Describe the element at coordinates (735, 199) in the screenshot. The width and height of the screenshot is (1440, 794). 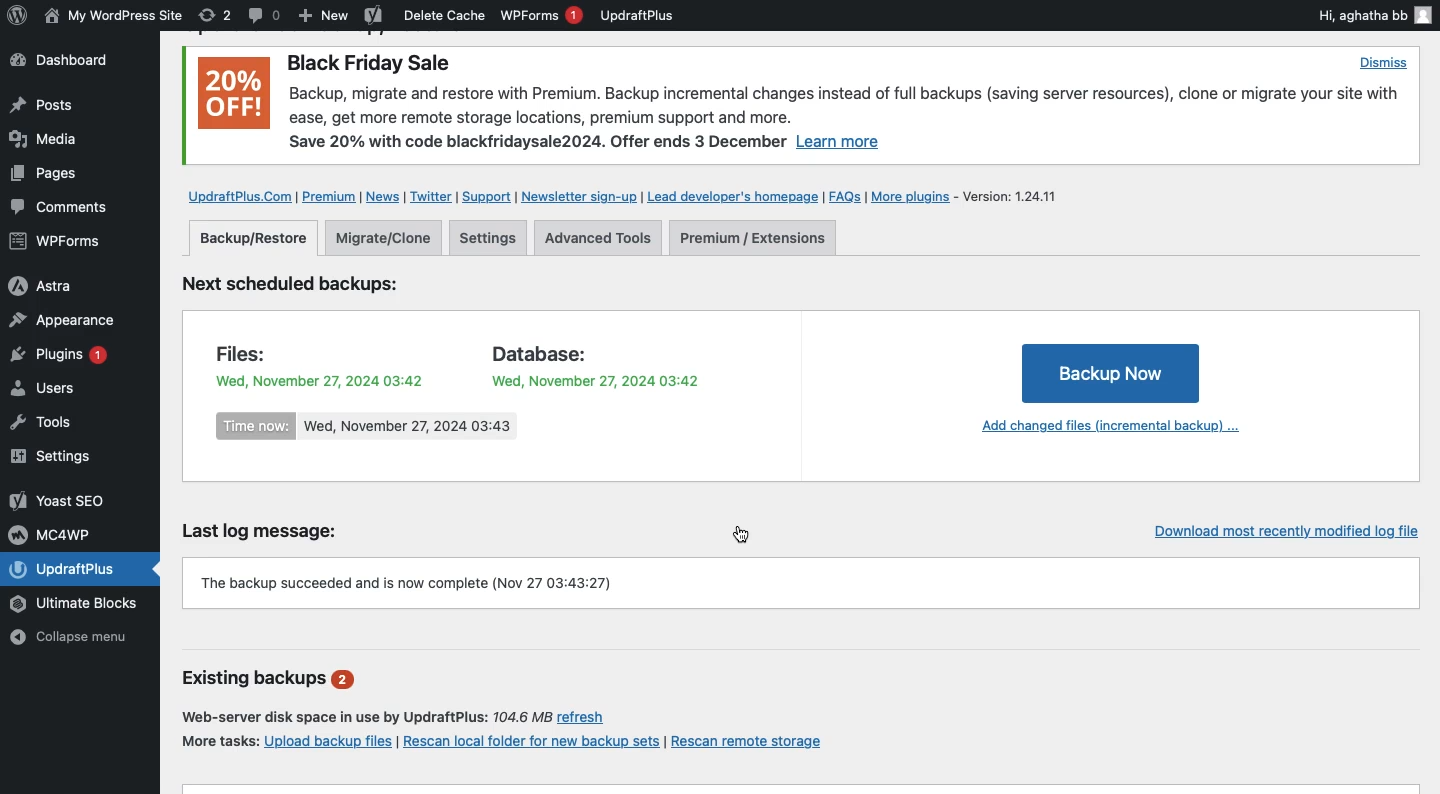
I see `Lead developer's homepage` at that location.